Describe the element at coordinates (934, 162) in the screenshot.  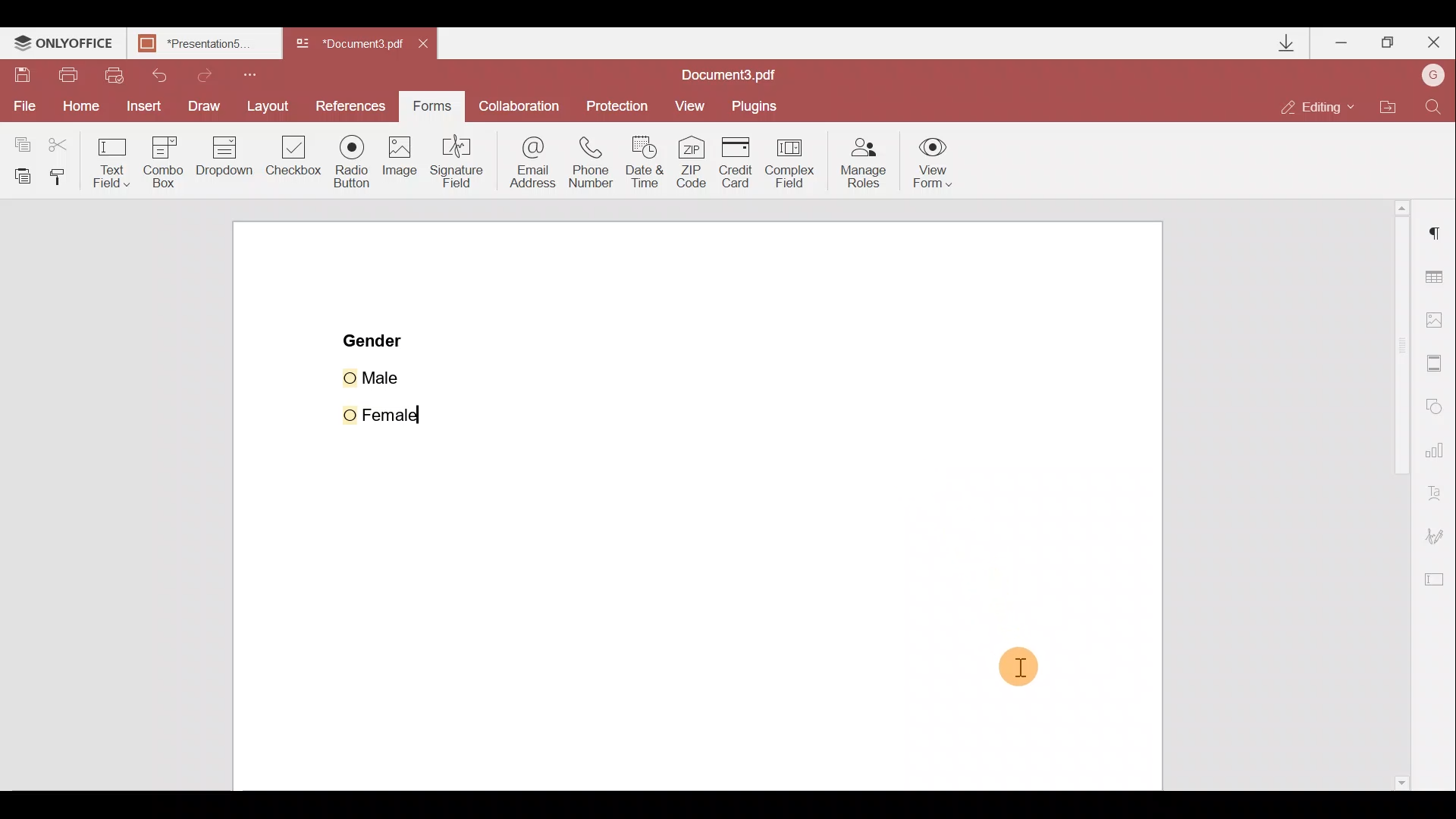
I see `View form` at that location.